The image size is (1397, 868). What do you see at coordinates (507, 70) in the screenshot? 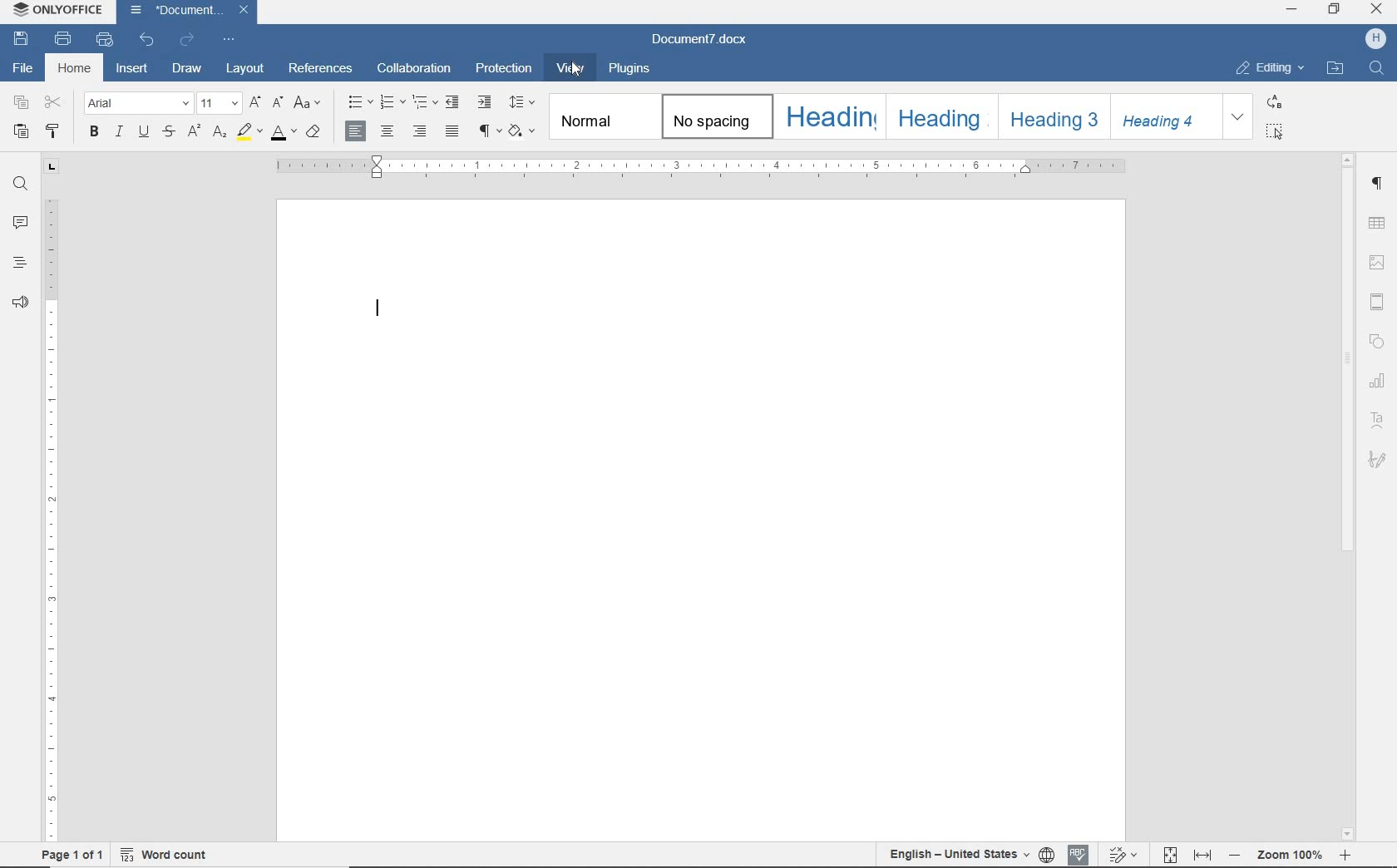
I see `PROTECTION` at bounding box center [507, 70].